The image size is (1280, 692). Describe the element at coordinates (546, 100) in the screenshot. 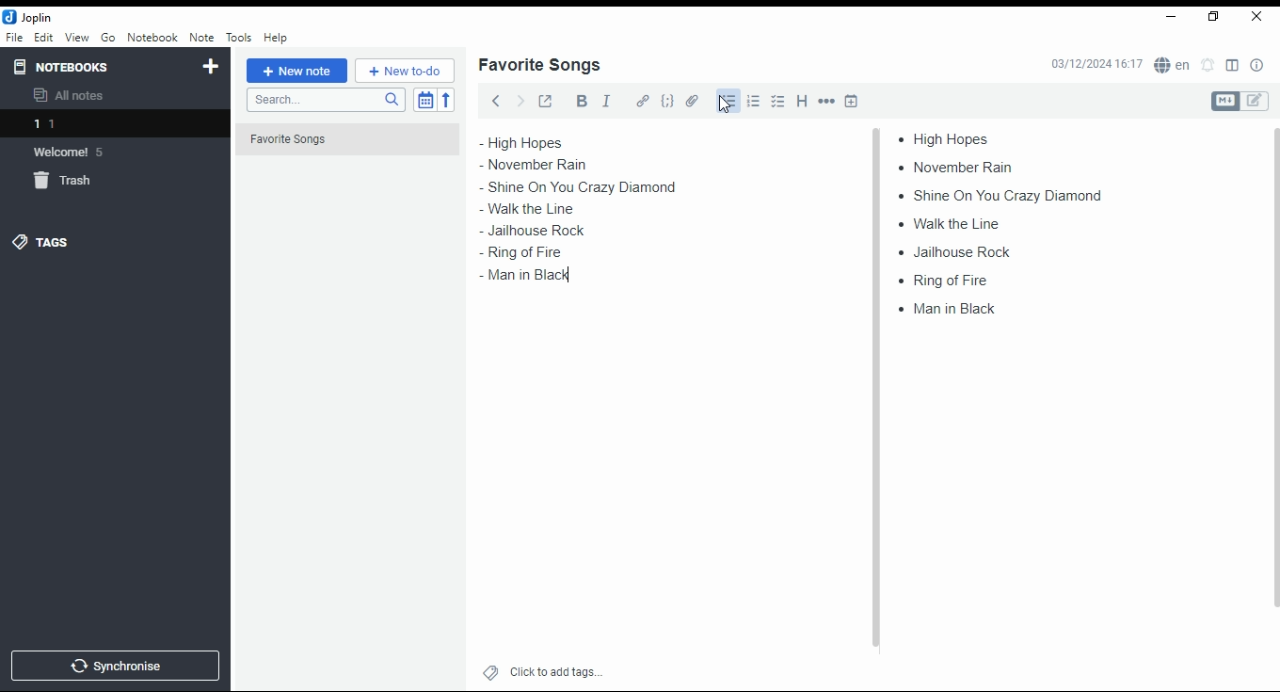

I see `toggle external editing` at that location.